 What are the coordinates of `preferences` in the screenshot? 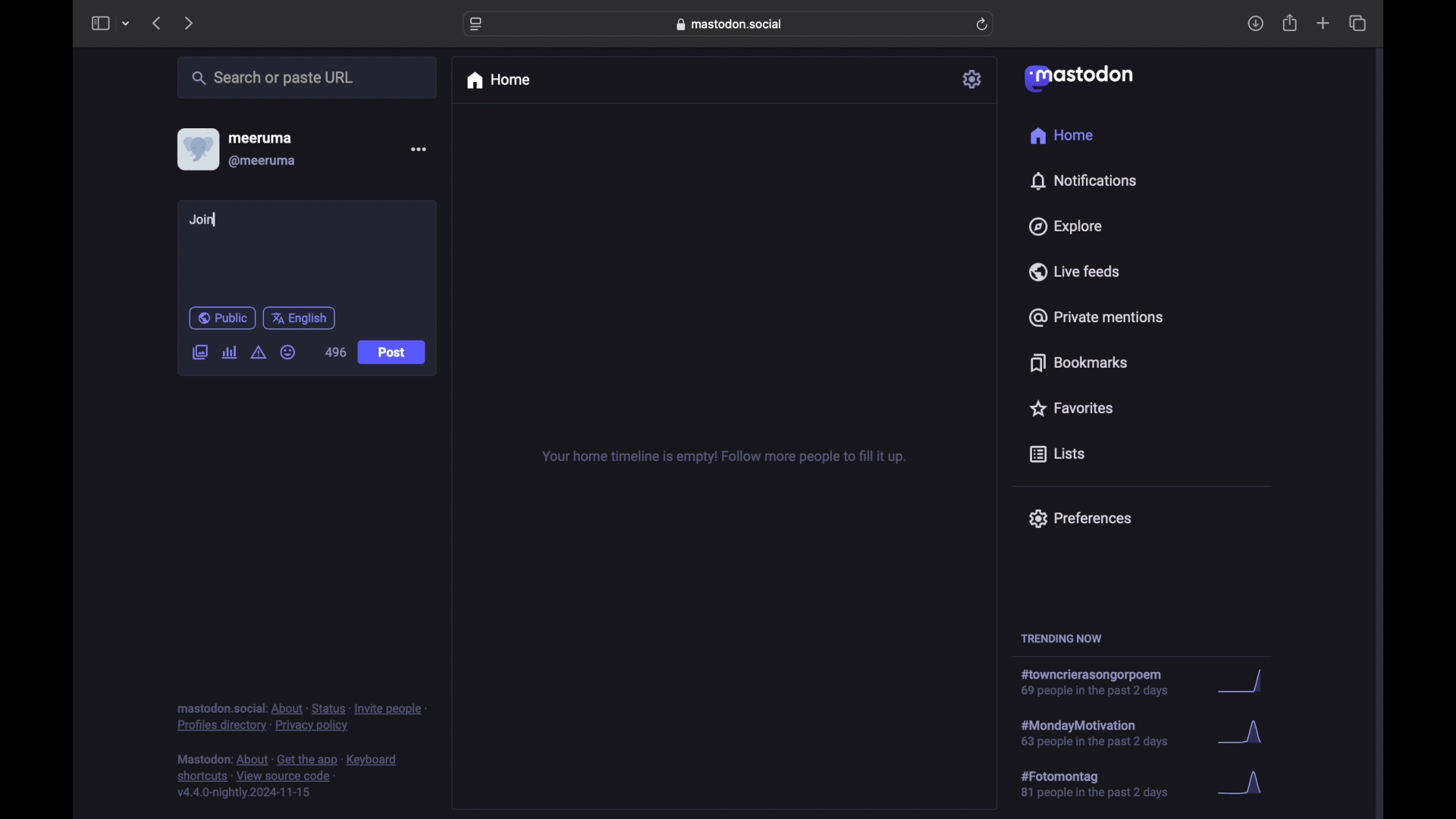 It's located at (1079, 517).